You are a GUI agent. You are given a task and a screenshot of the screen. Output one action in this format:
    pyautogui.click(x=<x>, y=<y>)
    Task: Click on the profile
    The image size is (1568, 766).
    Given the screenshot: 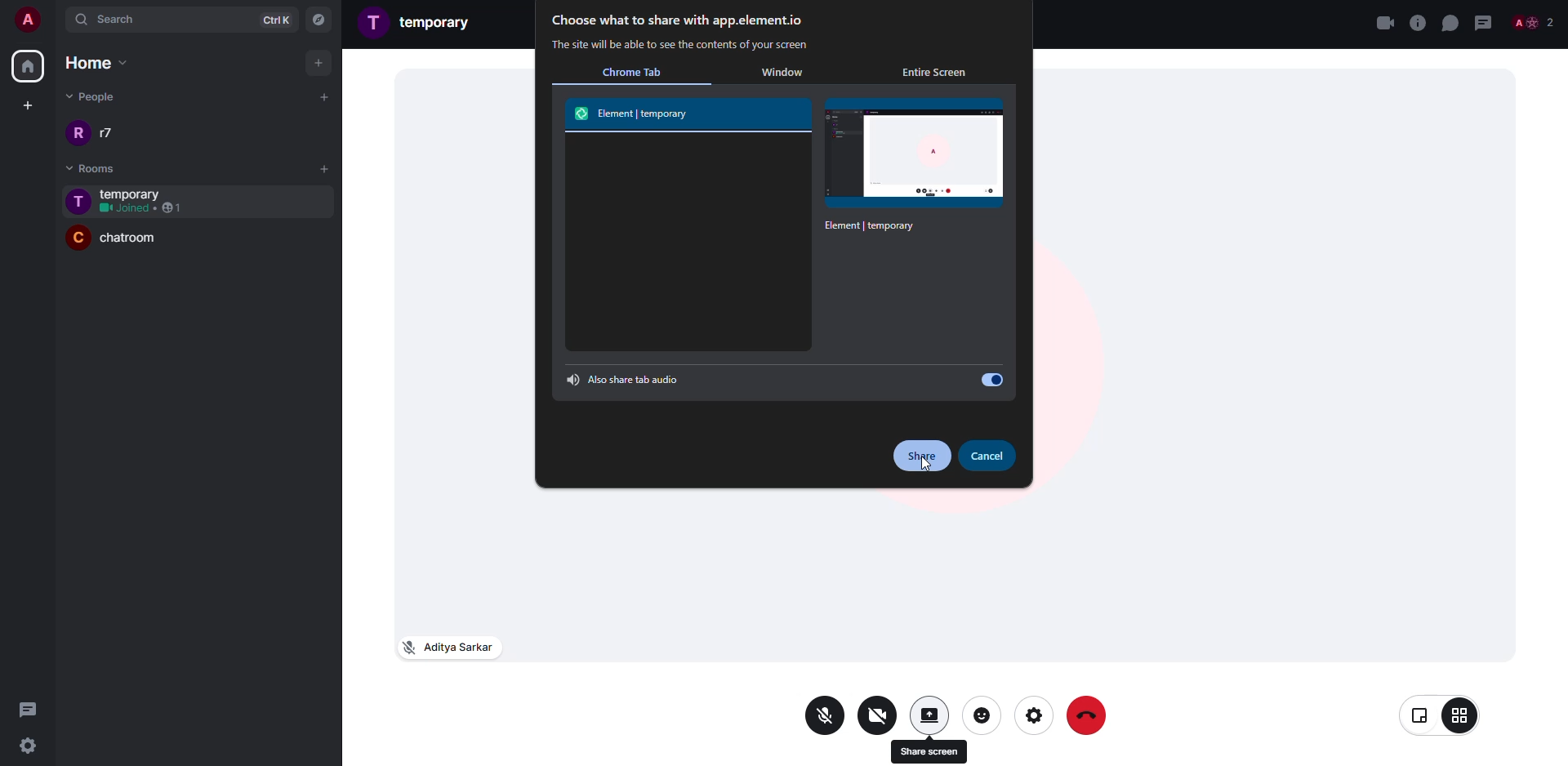 What is the action you would take?
    pyautogui.click(x=78, y=133)
    